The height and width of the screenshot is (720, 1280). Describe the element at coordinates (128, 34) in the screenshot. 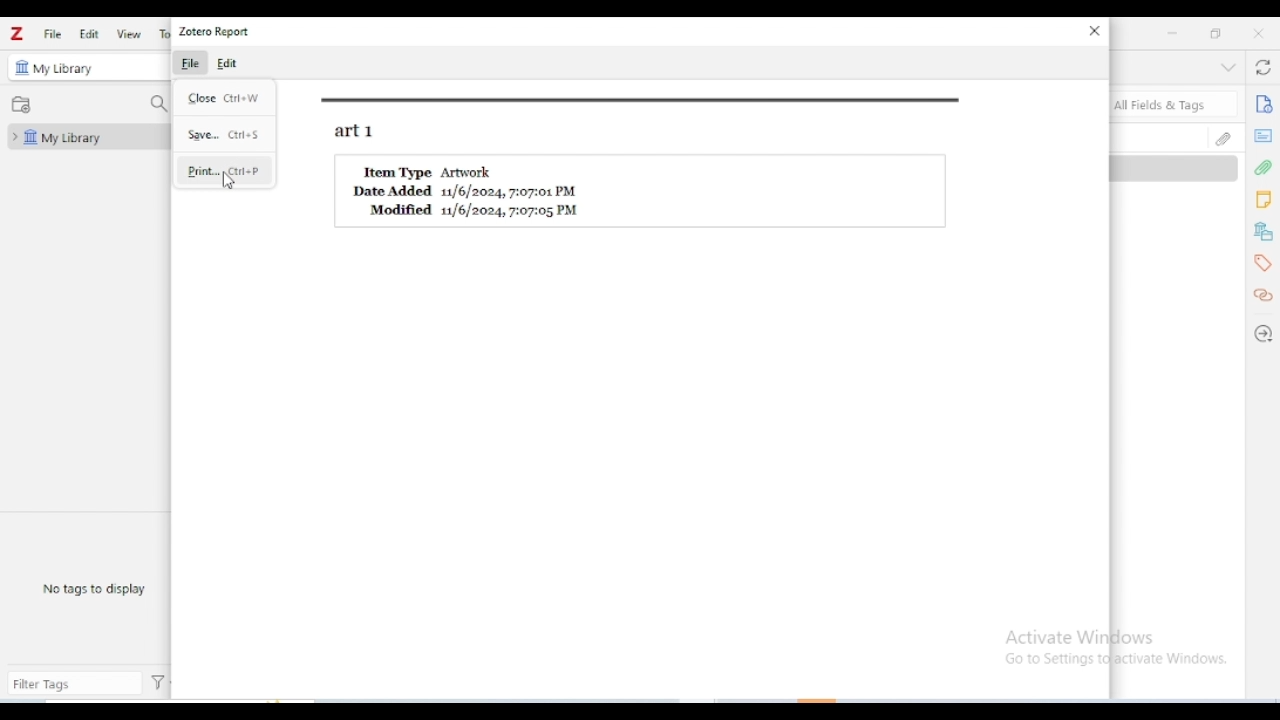

I see `view` at that location.